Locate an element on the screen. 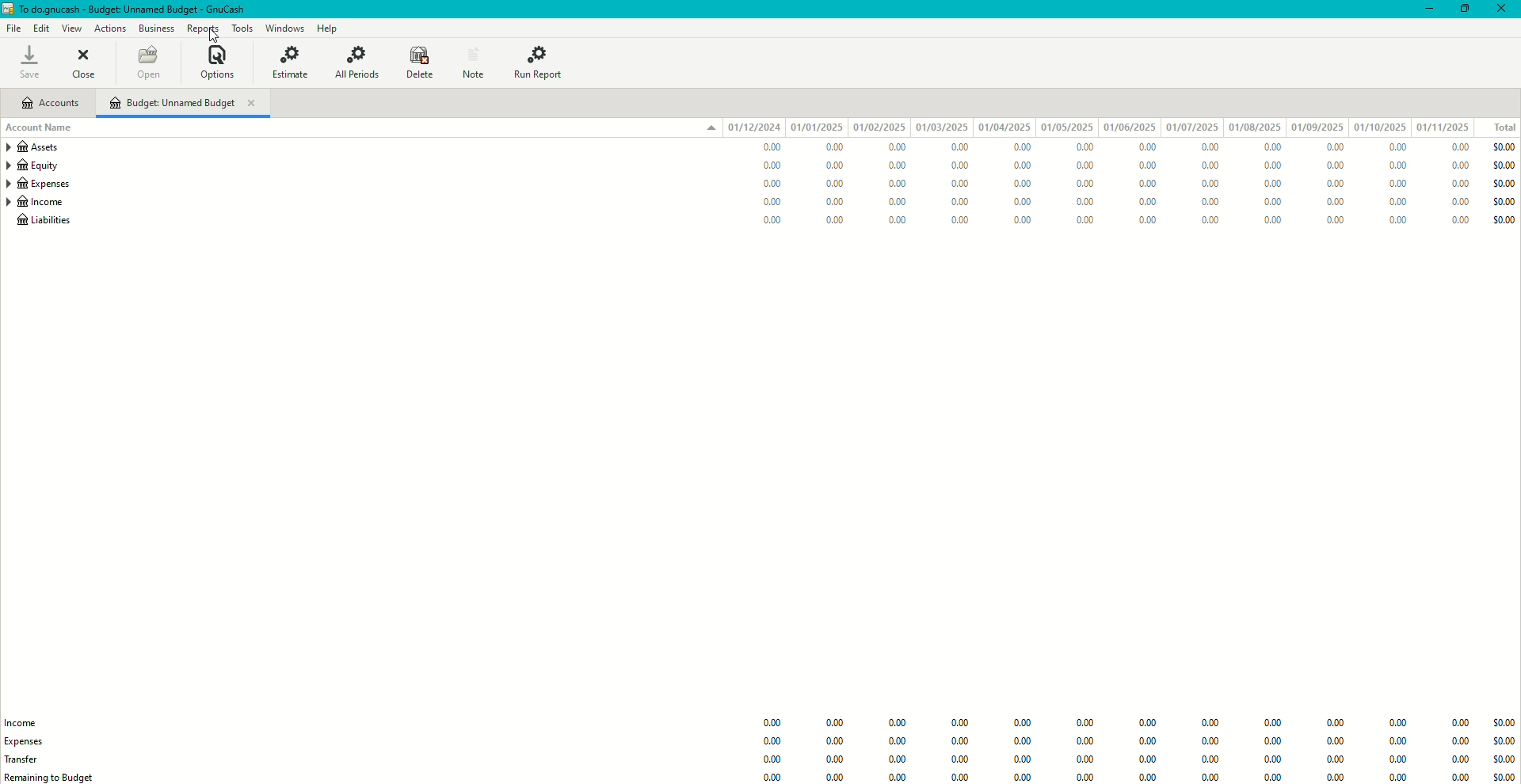 The image size is (1521, 784). View is located at coordinates (71, 29).